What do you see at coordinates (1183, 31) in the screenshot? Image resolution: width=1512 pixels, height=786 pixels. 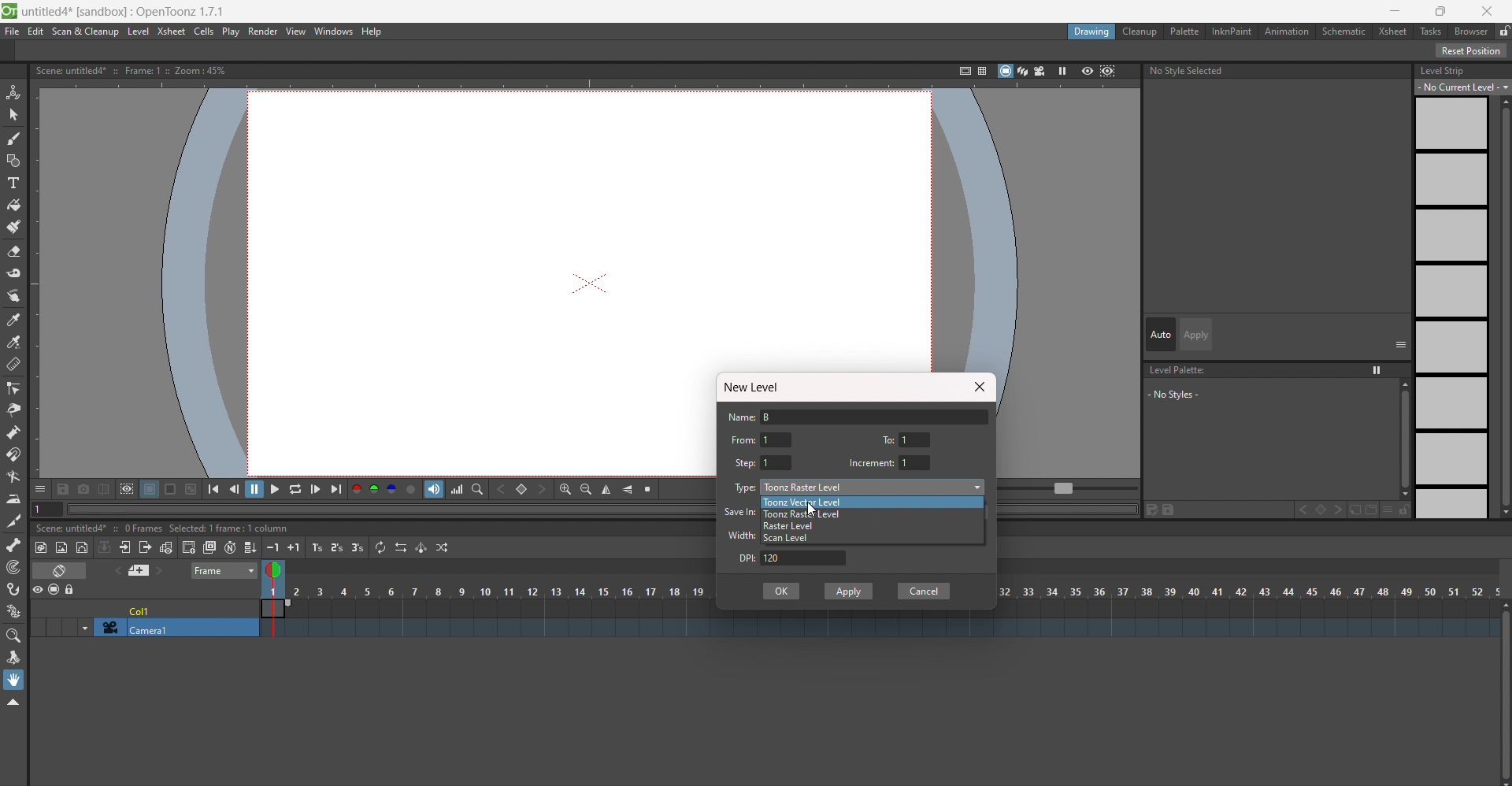 I see `palette` at bounding box center [1183, 31].